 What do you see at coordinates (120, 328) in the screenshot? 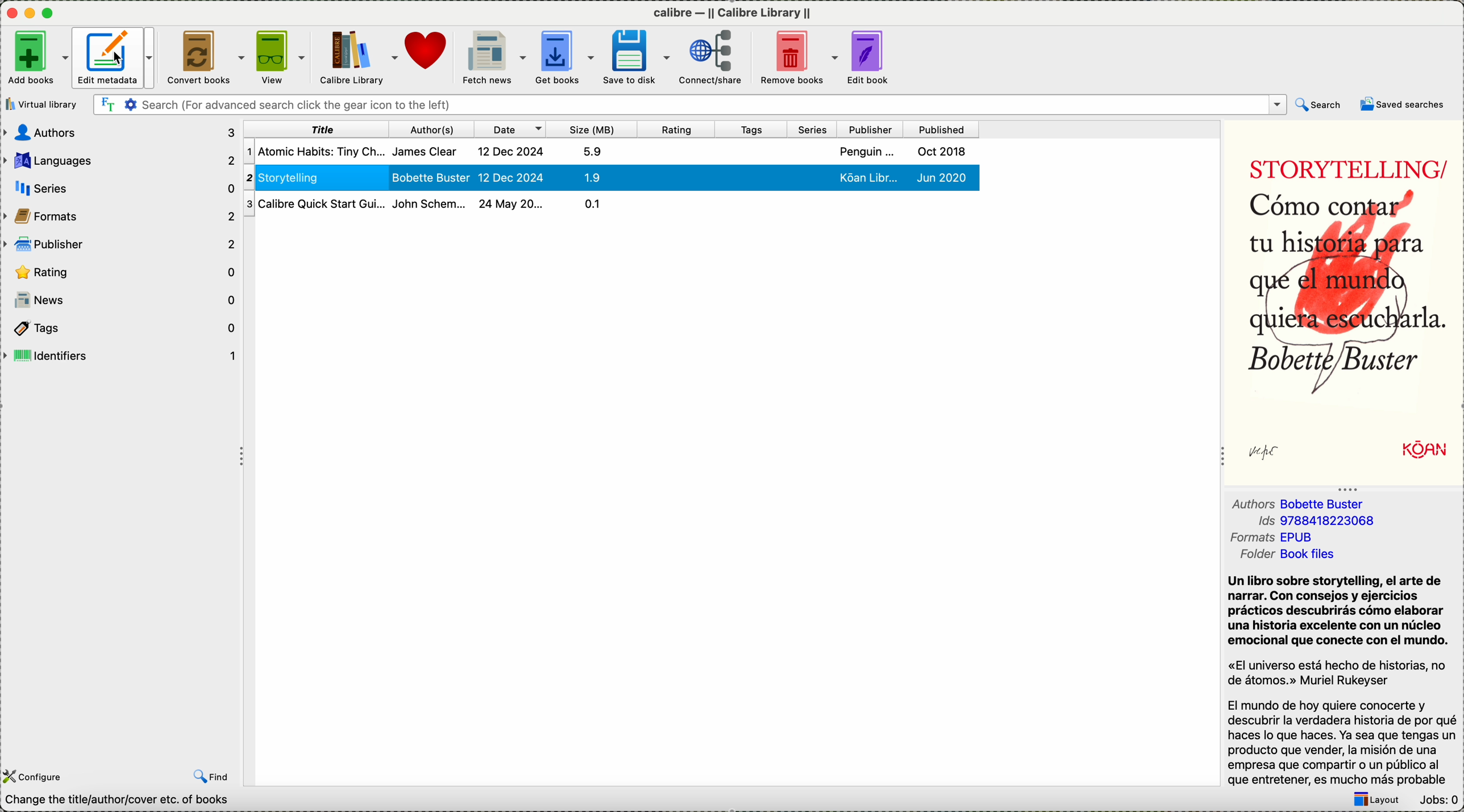
I see `tags` at bounding box center [120, 328].